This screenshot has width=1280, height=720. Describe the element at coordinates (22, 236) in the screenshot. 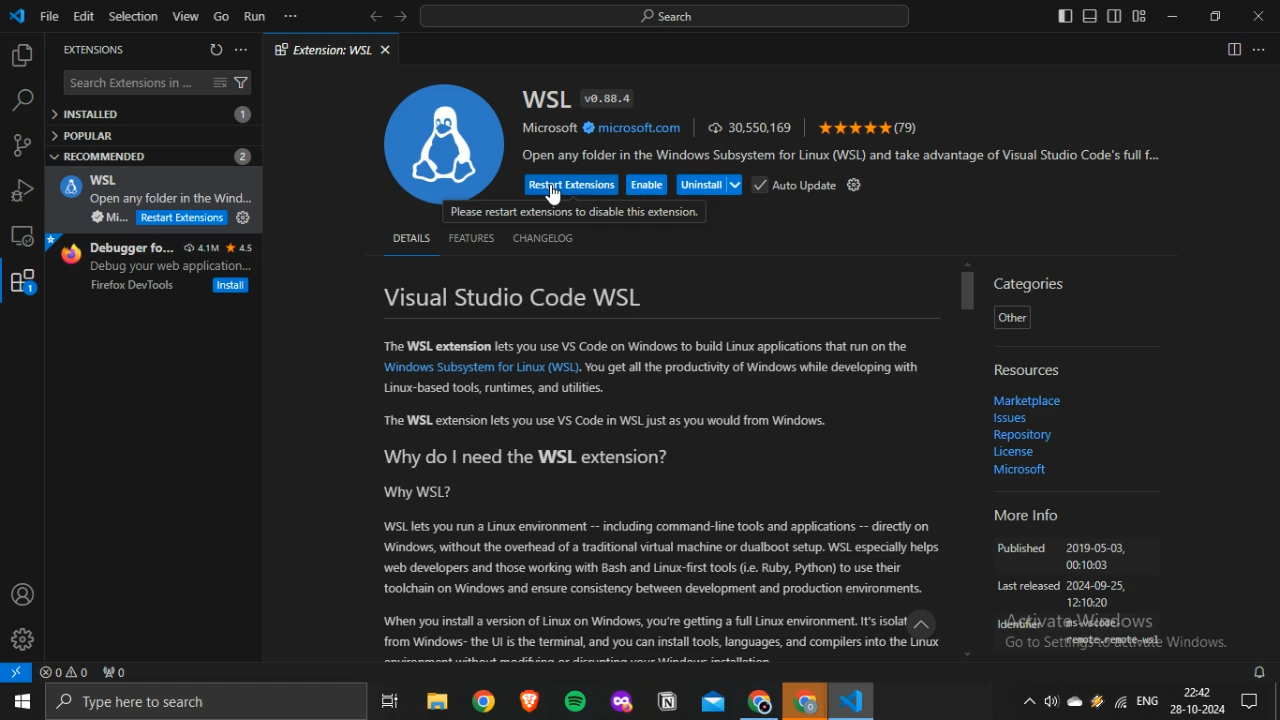

I see `screen` at that location.